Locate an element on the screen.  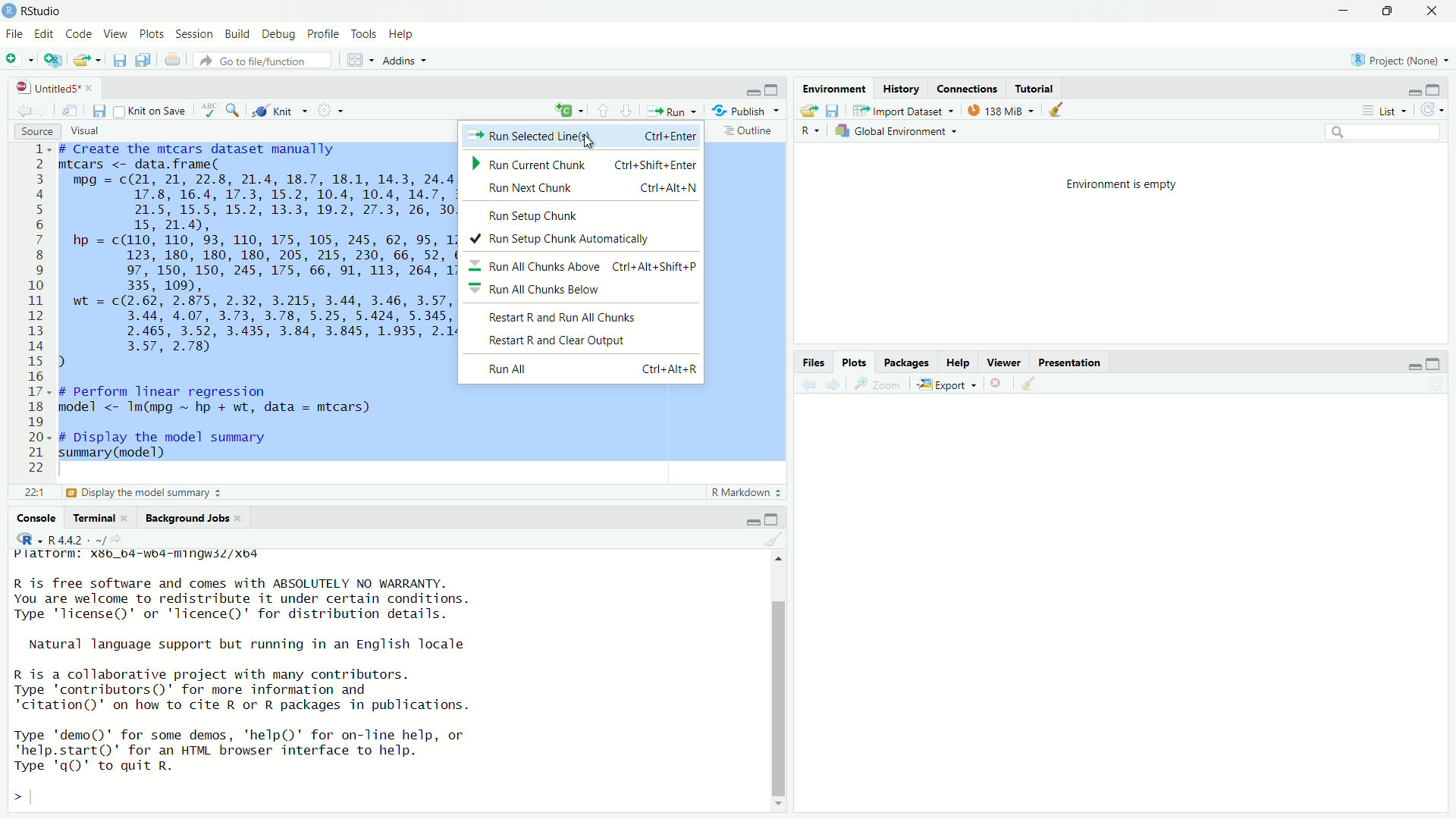
maximize is located at coordinates (773, 90).